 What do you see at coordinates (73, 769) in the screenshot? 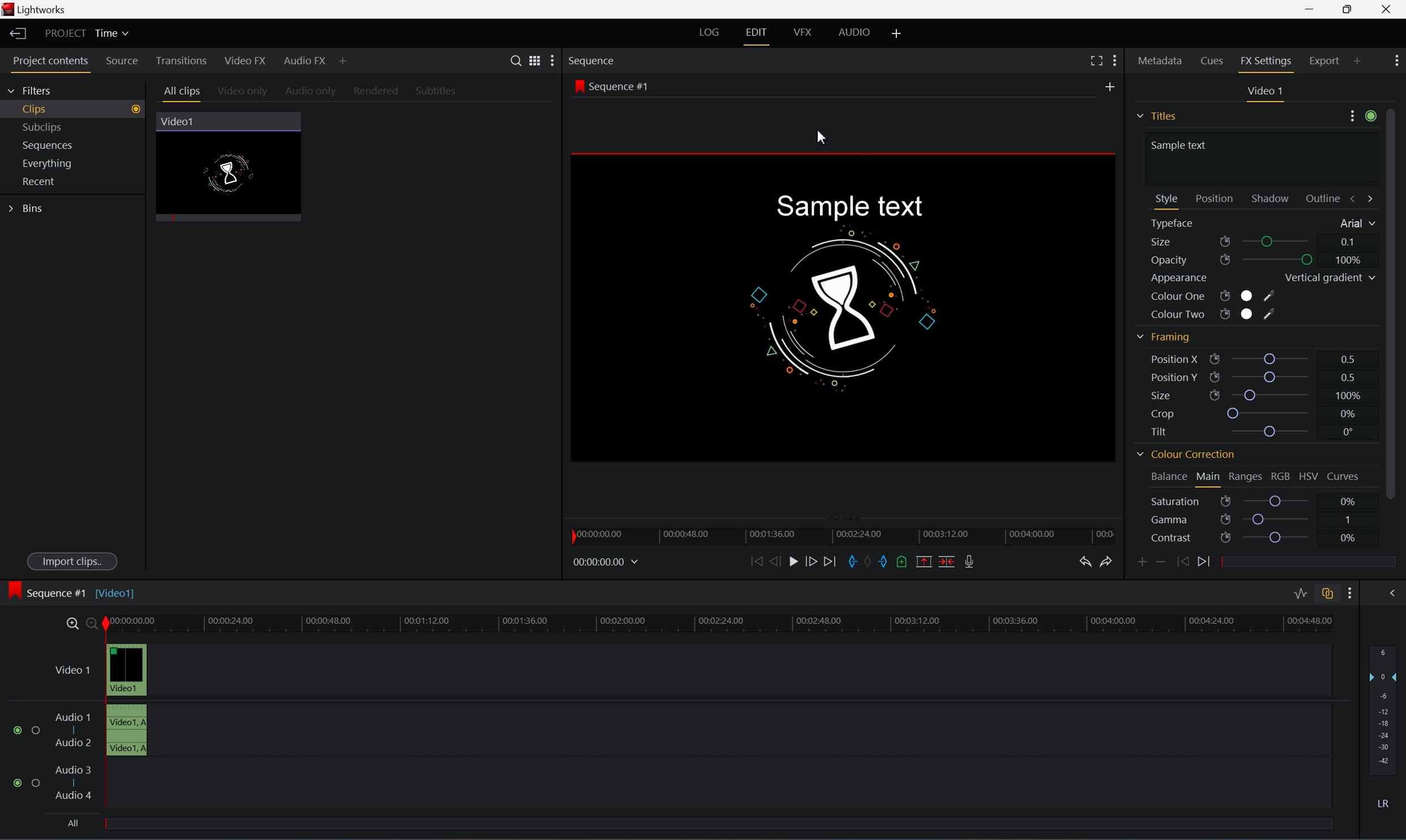
I see `Audio 3` at bounding box center [73, 769].